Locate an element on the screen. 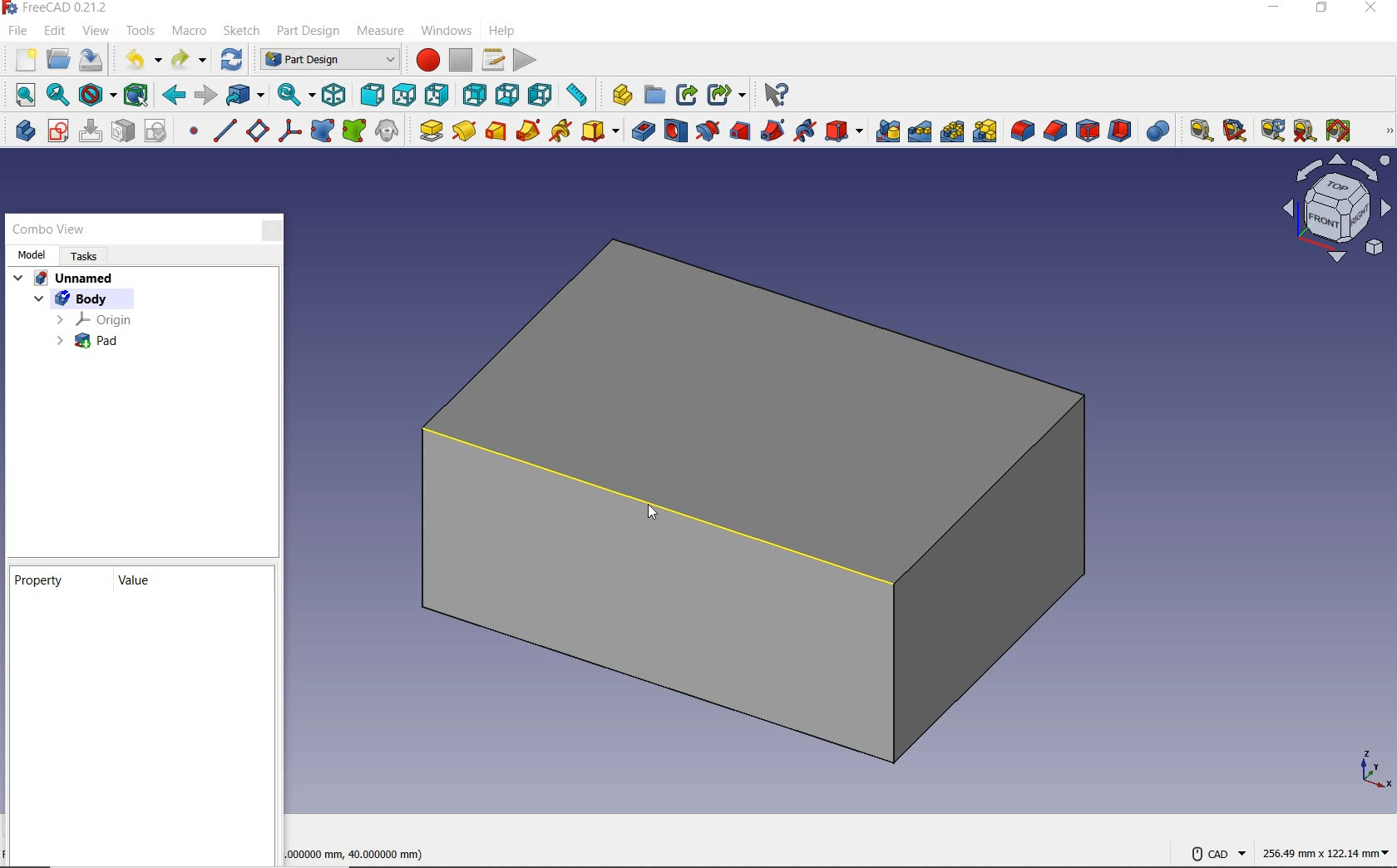 The height and width of the screenshot is (868, 1397). clear all is located at coordinates (1305, 134).